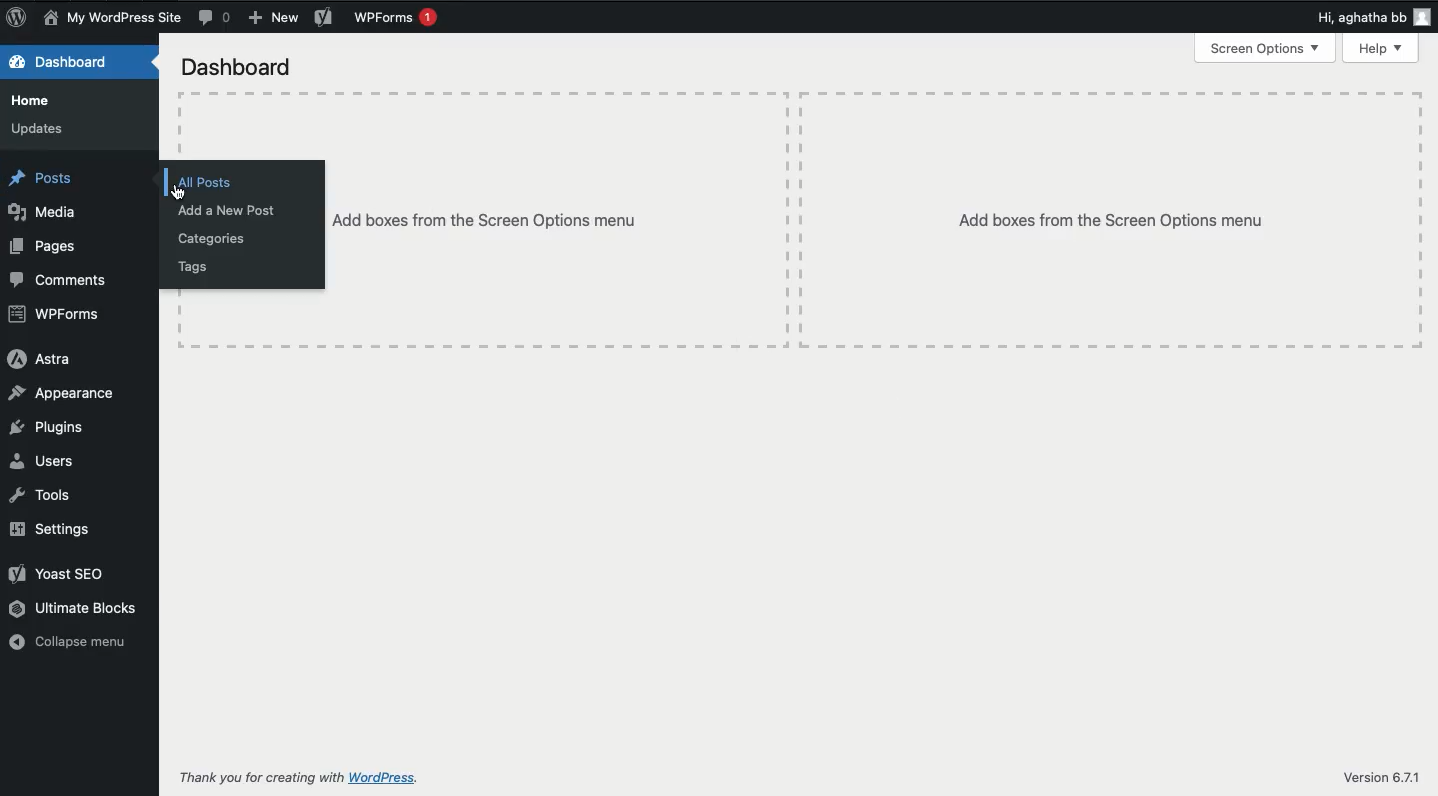  Describe the element at coordinates (53, 528) in the screenshot. I see `Settings` at that location.